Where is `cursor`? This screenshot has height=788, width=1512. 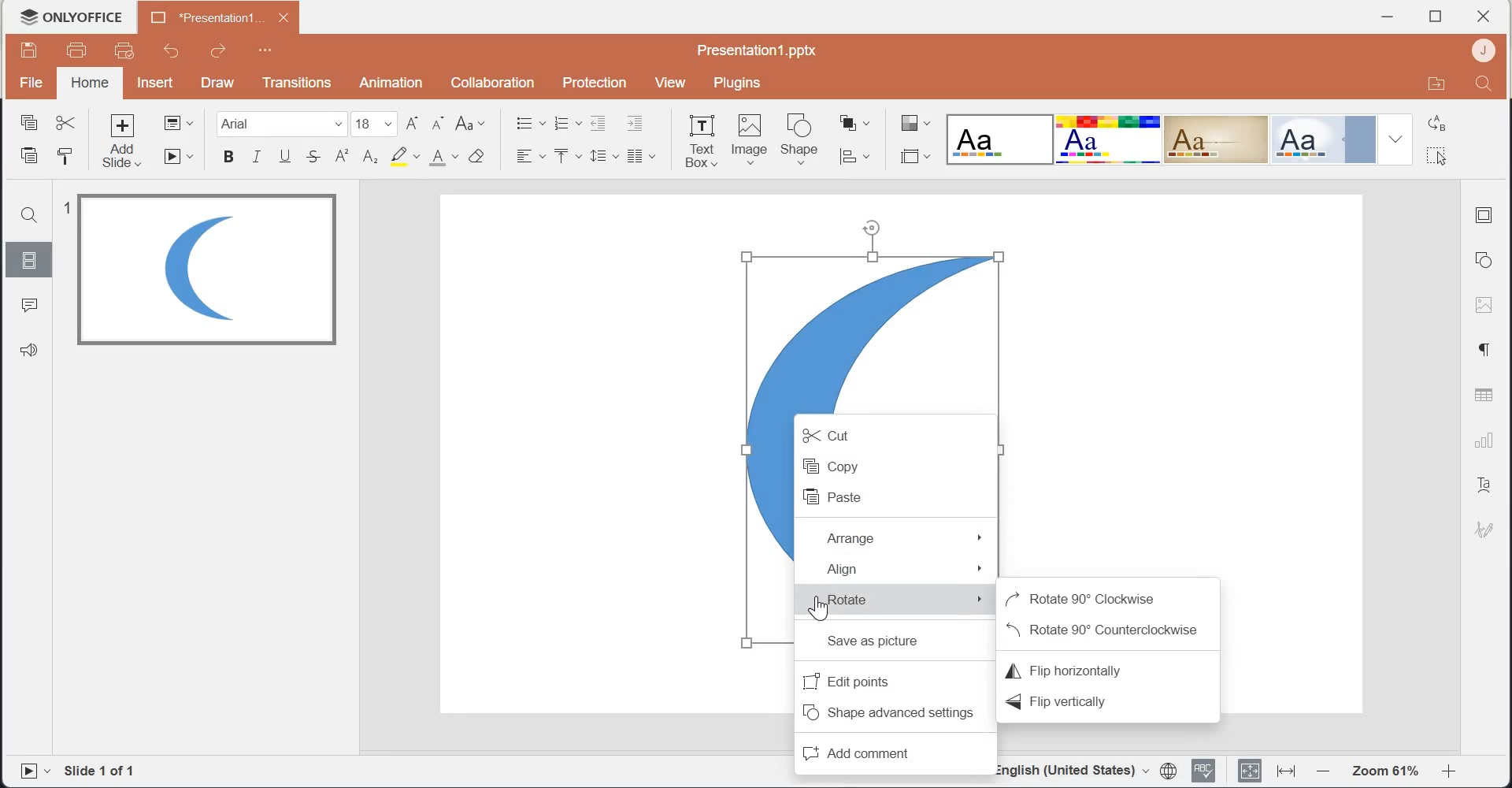 cursor is located at coordinates (1440, 157).